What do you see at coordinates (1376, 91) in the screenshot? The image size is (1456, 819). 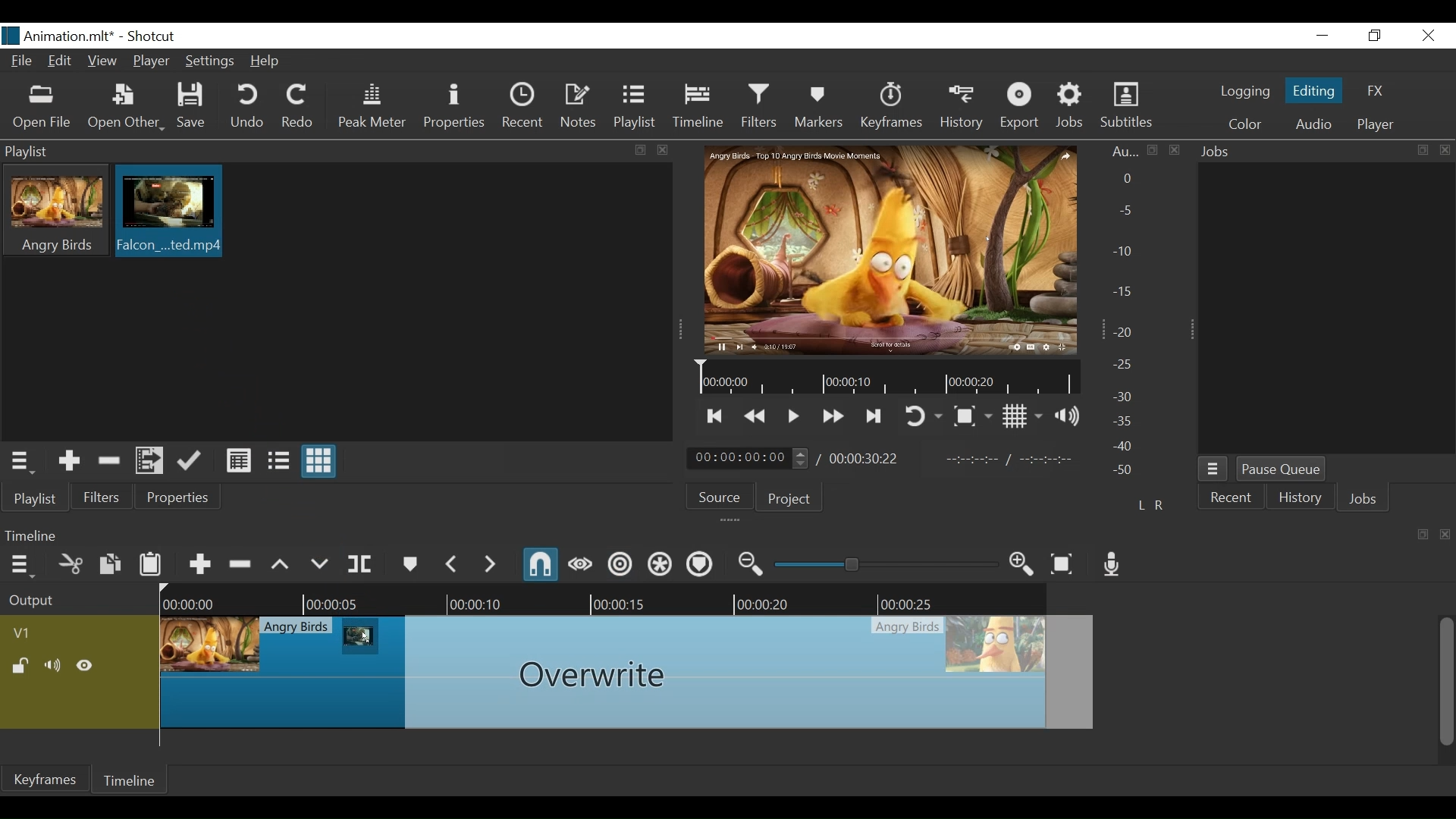 I see `FX` at bounding box center [1376, 91].